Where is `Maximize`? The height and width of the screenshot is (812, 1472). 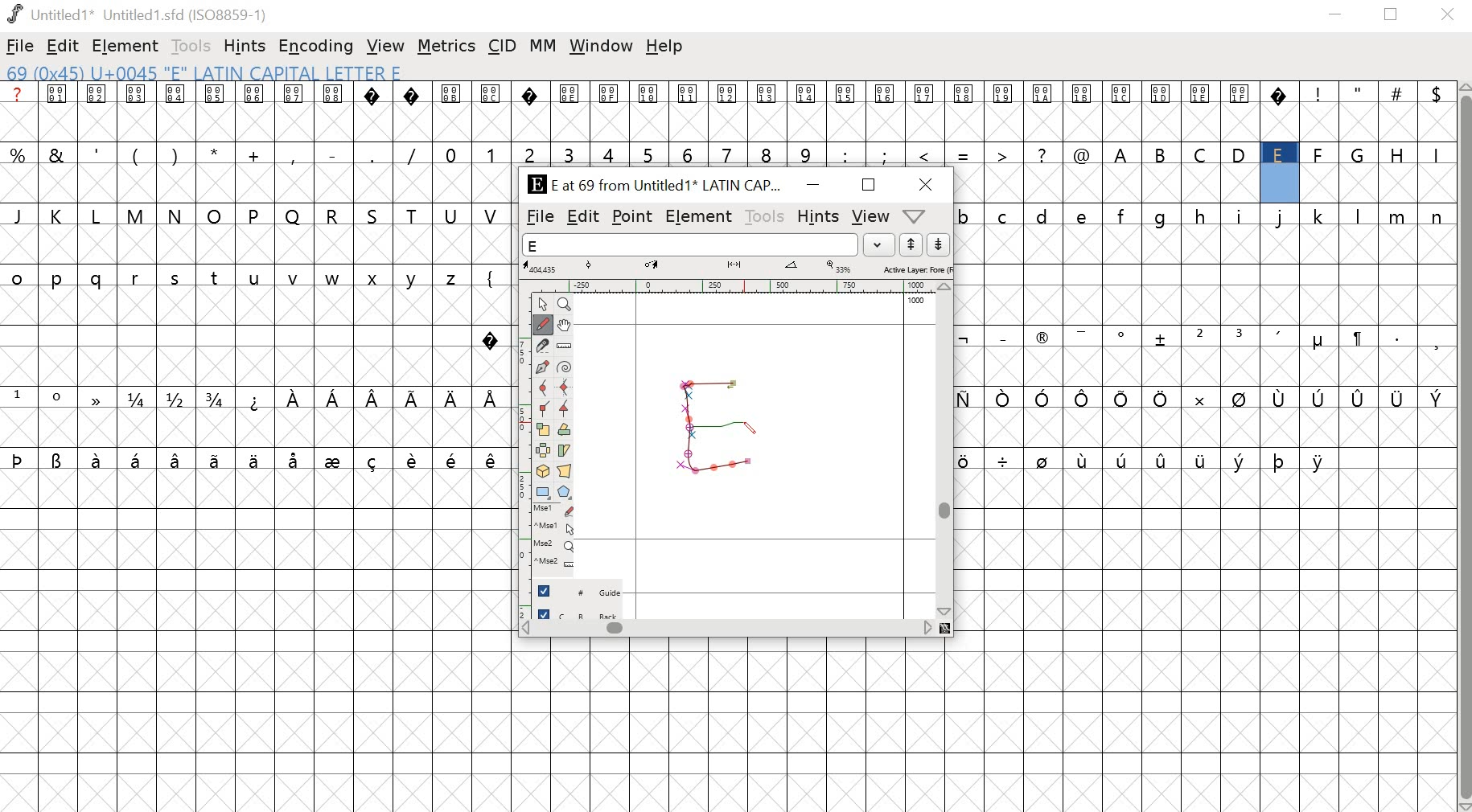
Maximize is located at coordinates (866, 184).